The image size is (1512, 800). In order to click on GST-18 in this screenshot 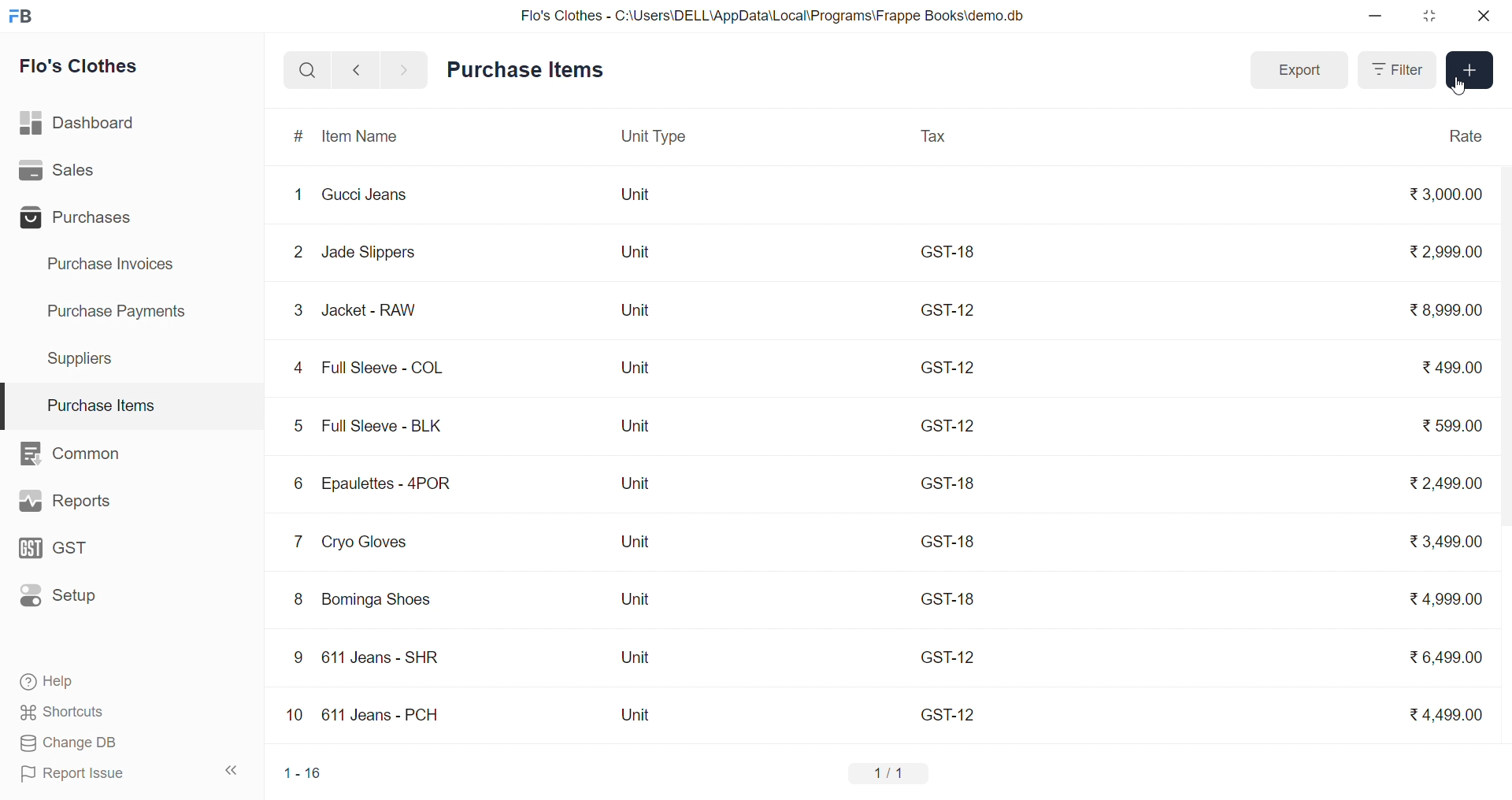, I will do `click(948, 483)`.